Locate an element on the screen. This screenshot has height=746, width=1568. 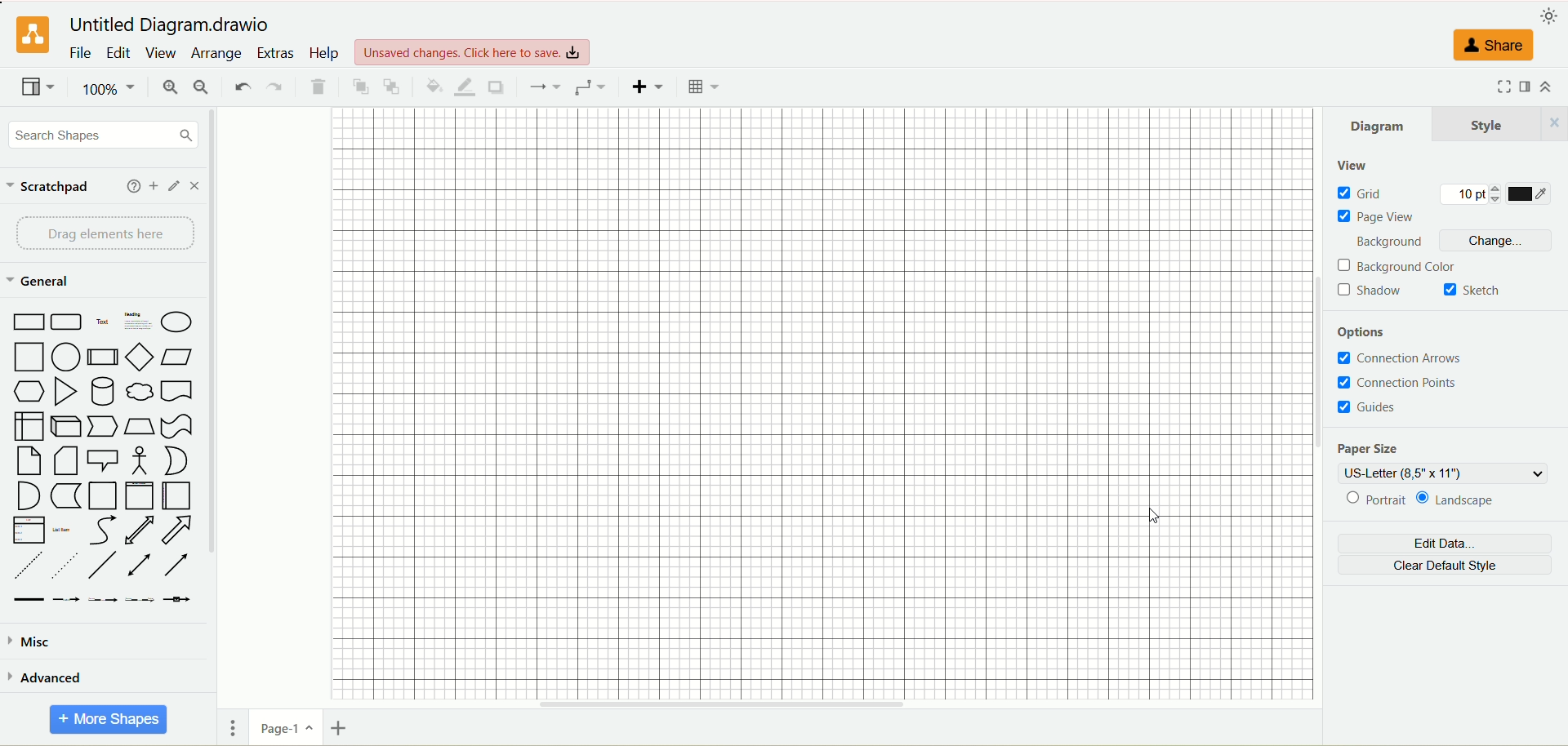
click here to save is located at coordinates (470, 52).